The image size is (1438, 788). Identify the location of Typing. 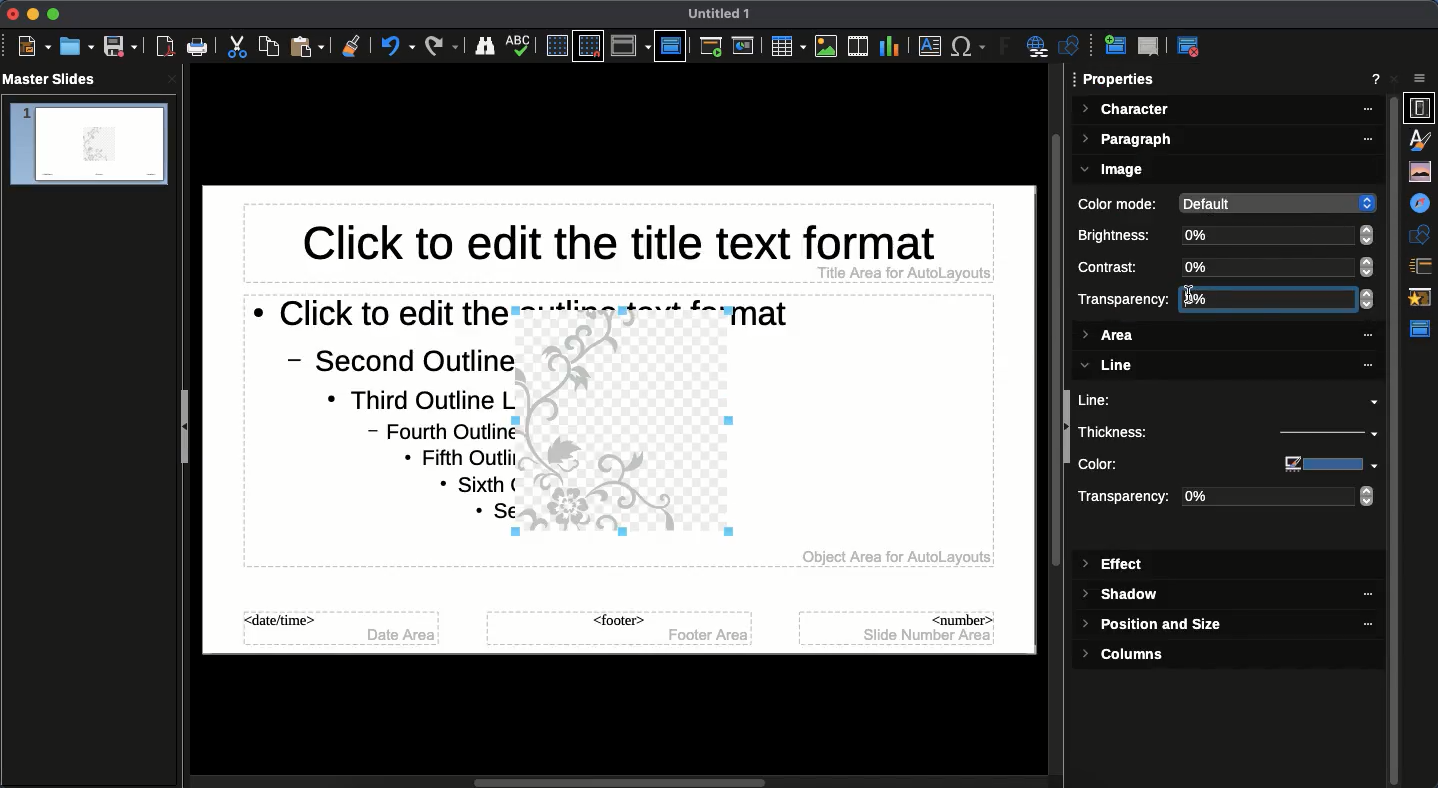
(1268, 299).